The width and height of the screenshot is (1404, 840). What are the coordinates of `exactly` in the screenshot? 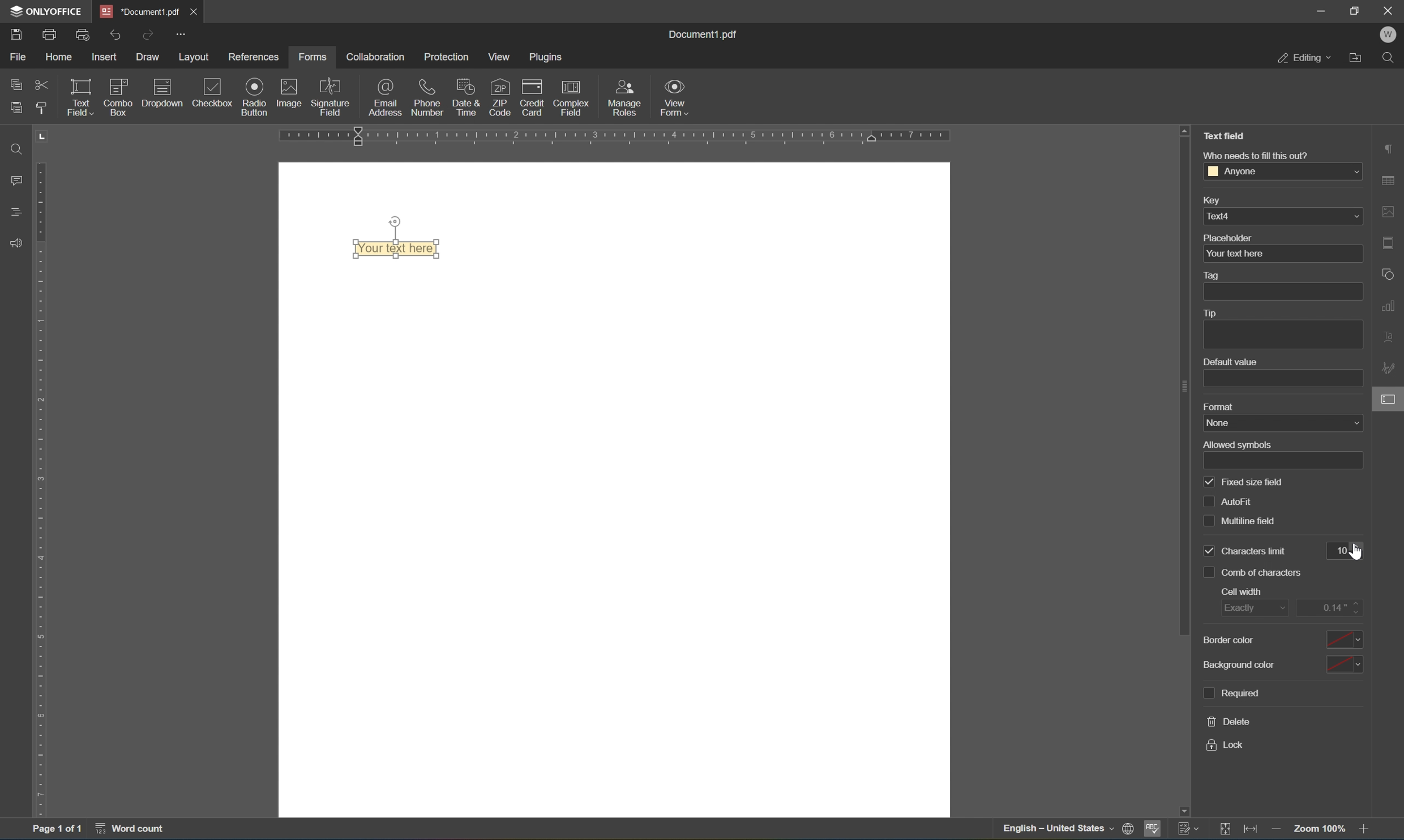 It's located at (1254, 606).